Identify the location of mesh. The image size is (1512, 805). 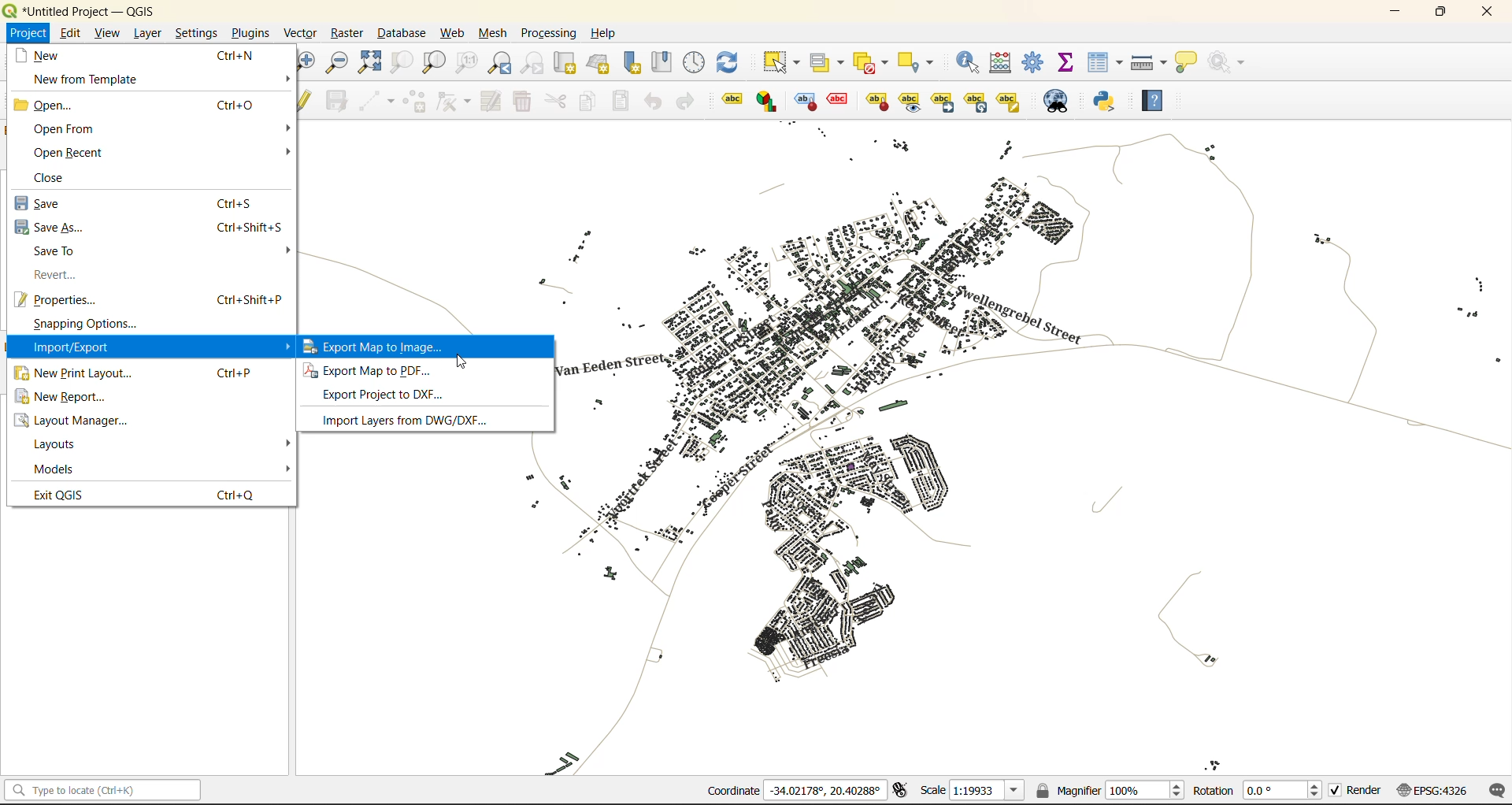
(491, 35).